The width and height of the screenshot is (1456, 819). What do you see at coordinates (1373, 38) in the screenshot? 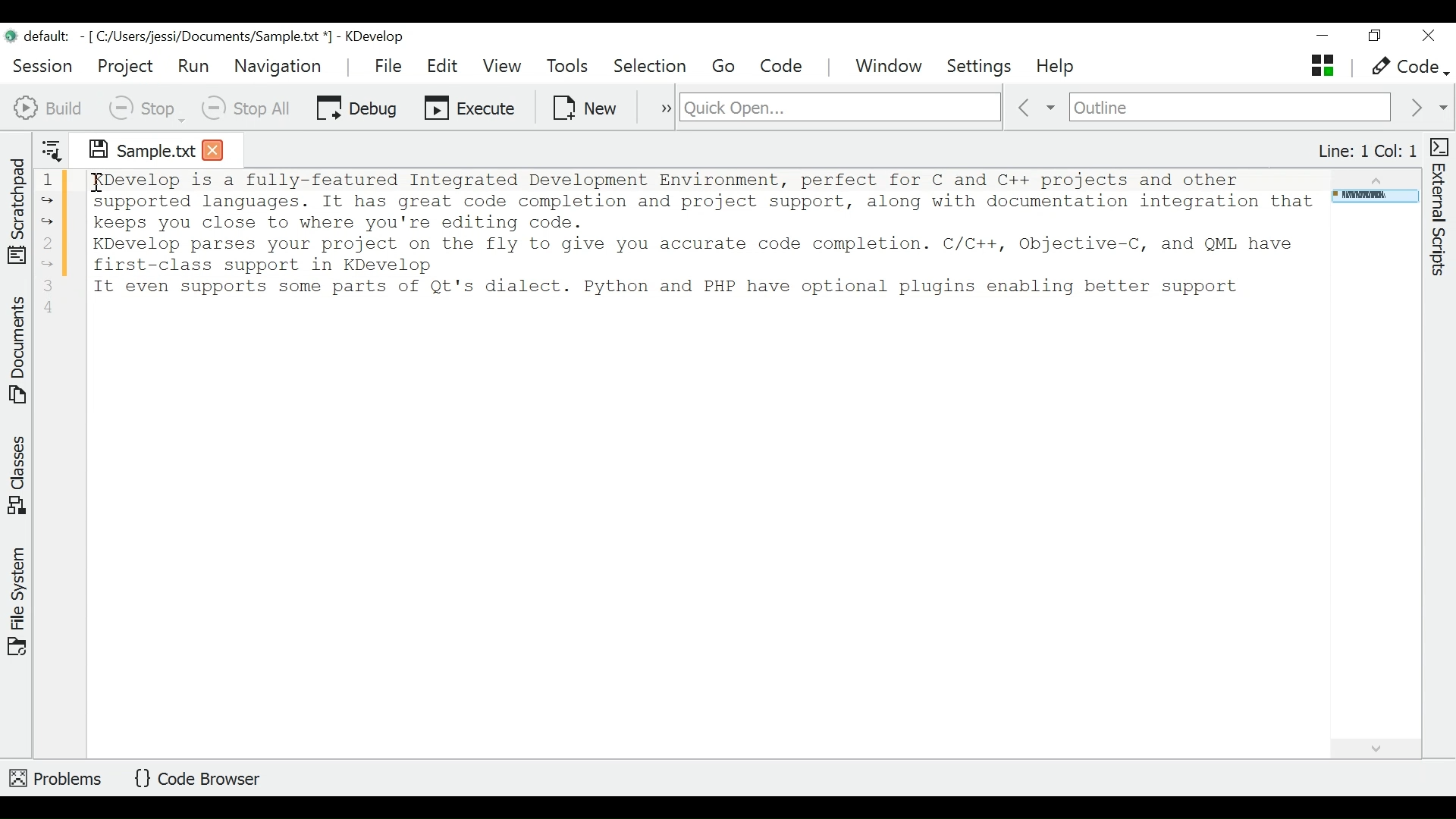
I see `Restore` at bounding box center [1373, 38].